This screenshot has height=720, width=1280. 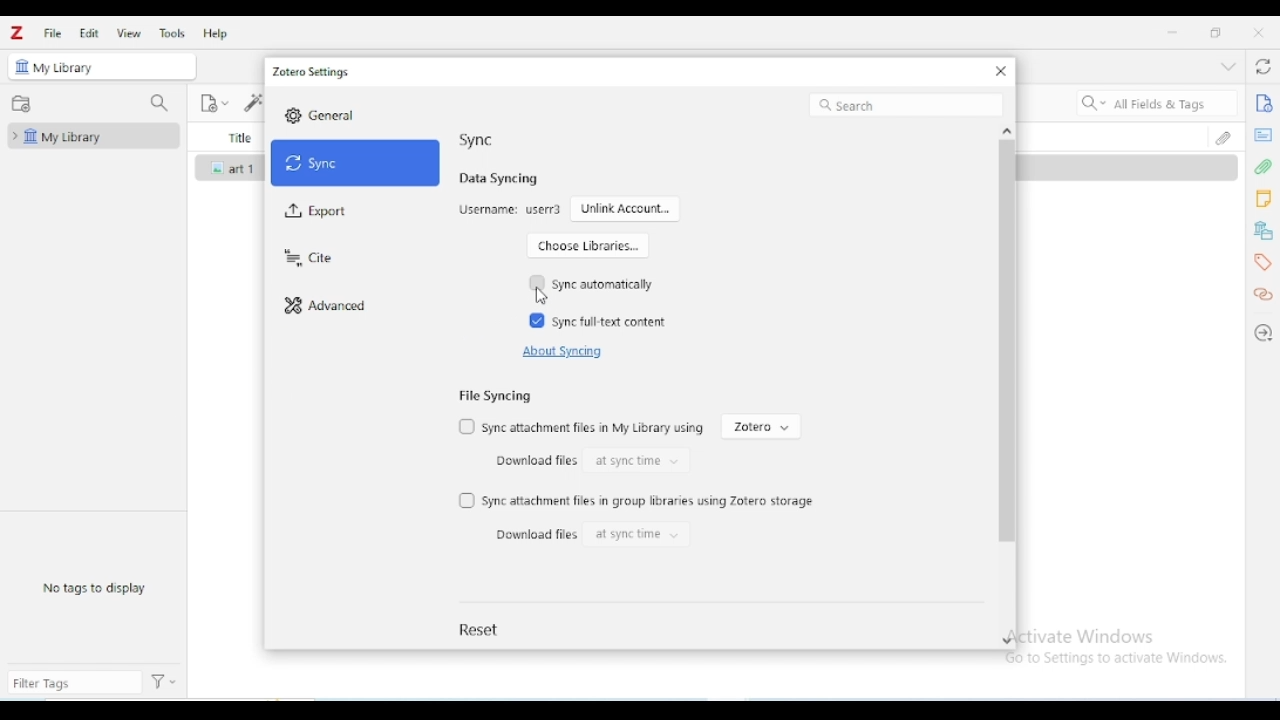 I want to click on notes, so click(x=1264, y=199).